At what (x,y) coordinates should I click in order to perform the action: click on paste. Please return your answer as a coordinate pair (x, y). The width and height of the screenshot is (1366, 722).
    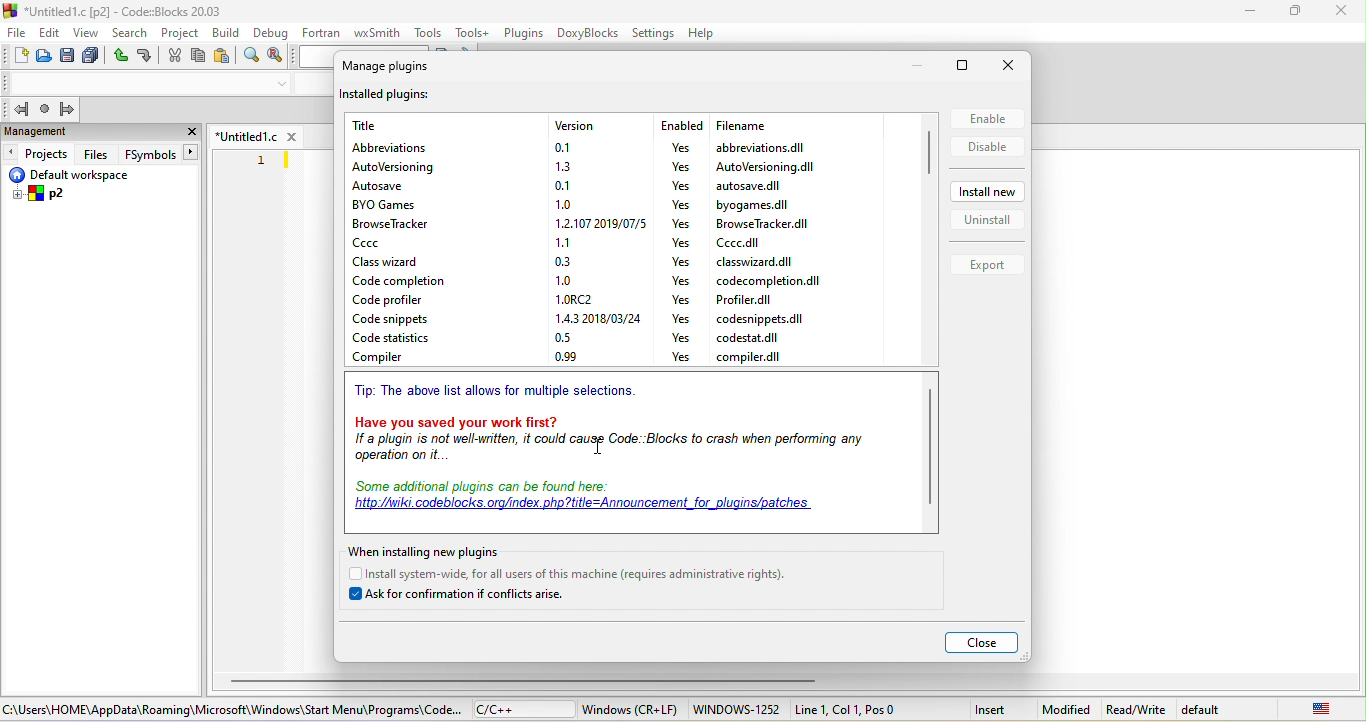
    Looking at the image, I should click on (227, 58).